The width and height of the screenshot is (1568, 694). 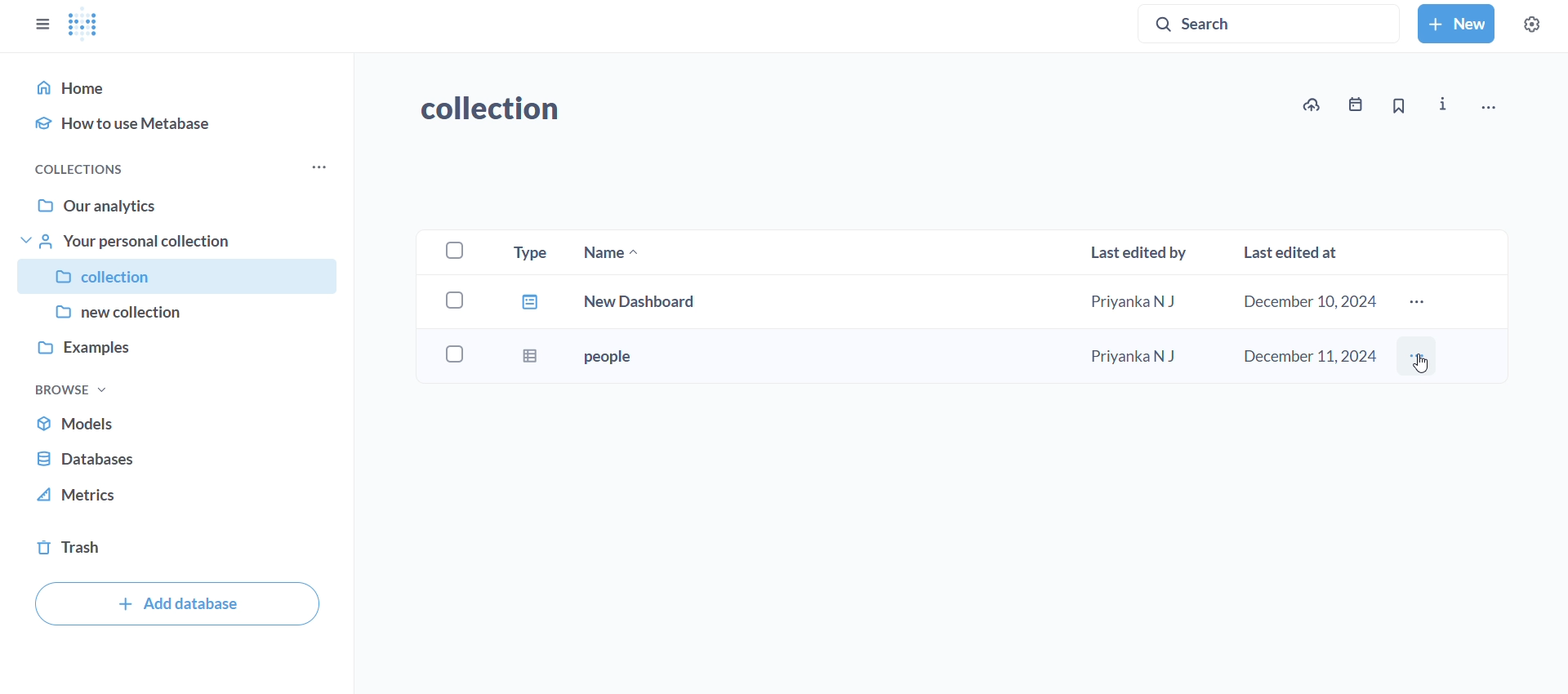 I want to click on Priyanka N J, so click(x=1133, y=303).